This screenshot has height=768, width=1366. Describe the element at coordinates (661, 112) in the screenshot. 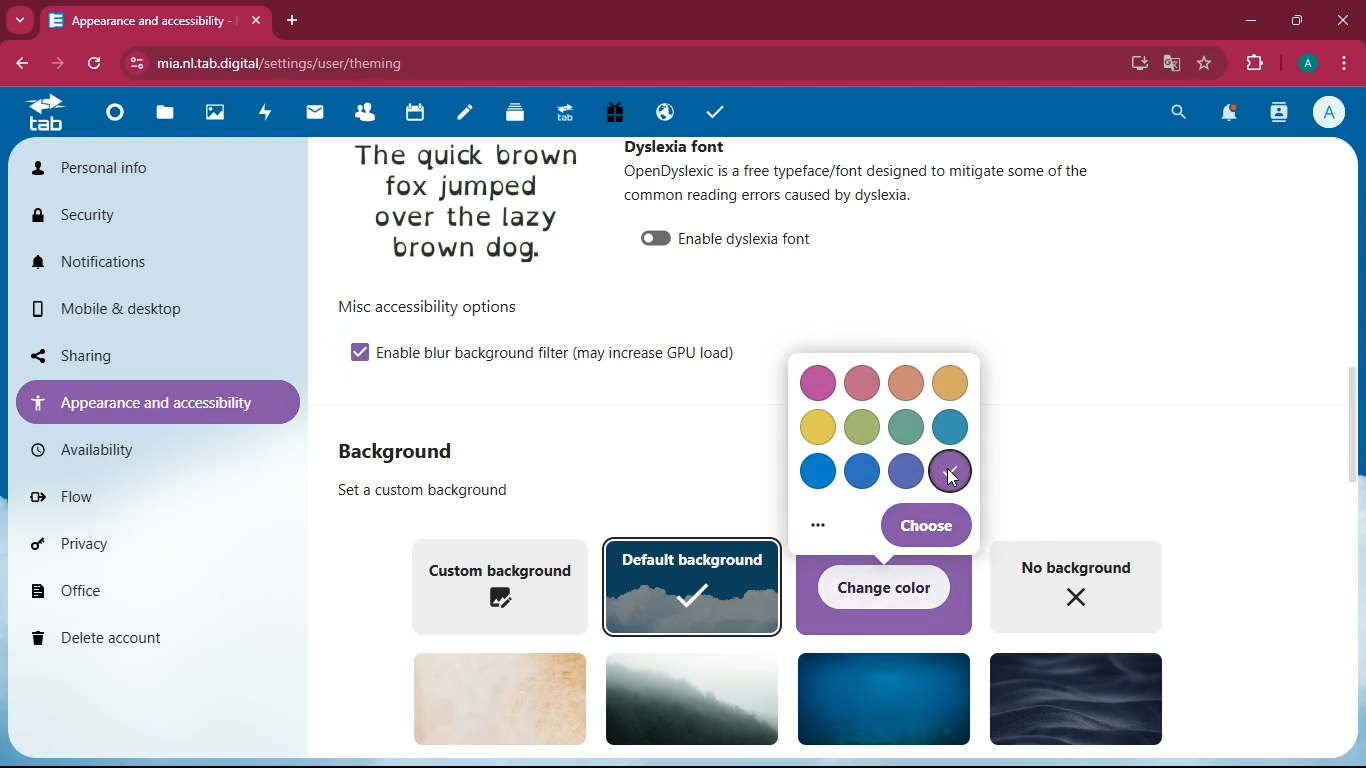

I see `public` at that location.